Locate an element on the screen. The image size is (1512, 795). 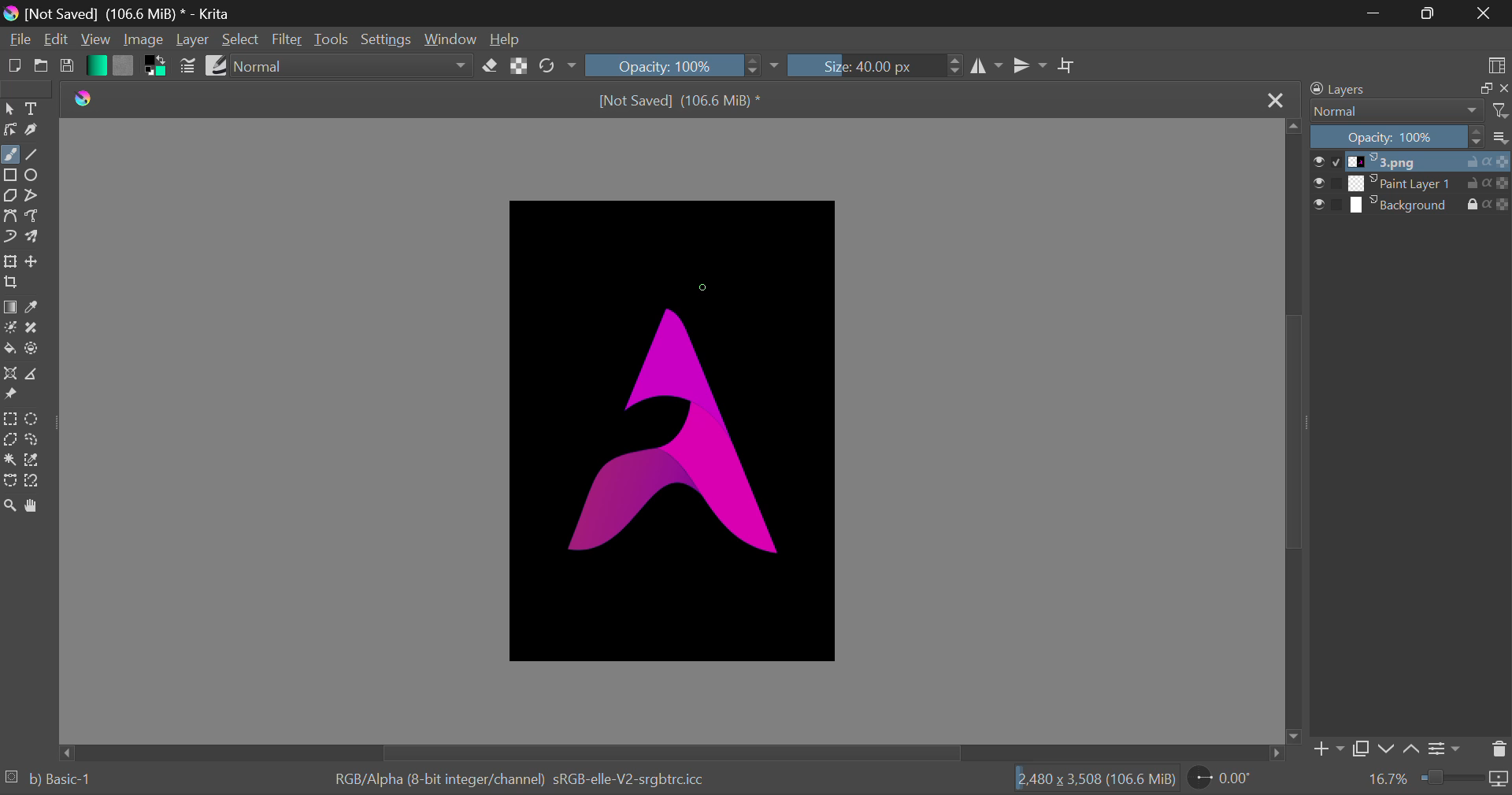
Colorize Mask Tool is located at coordinates (11, 329).